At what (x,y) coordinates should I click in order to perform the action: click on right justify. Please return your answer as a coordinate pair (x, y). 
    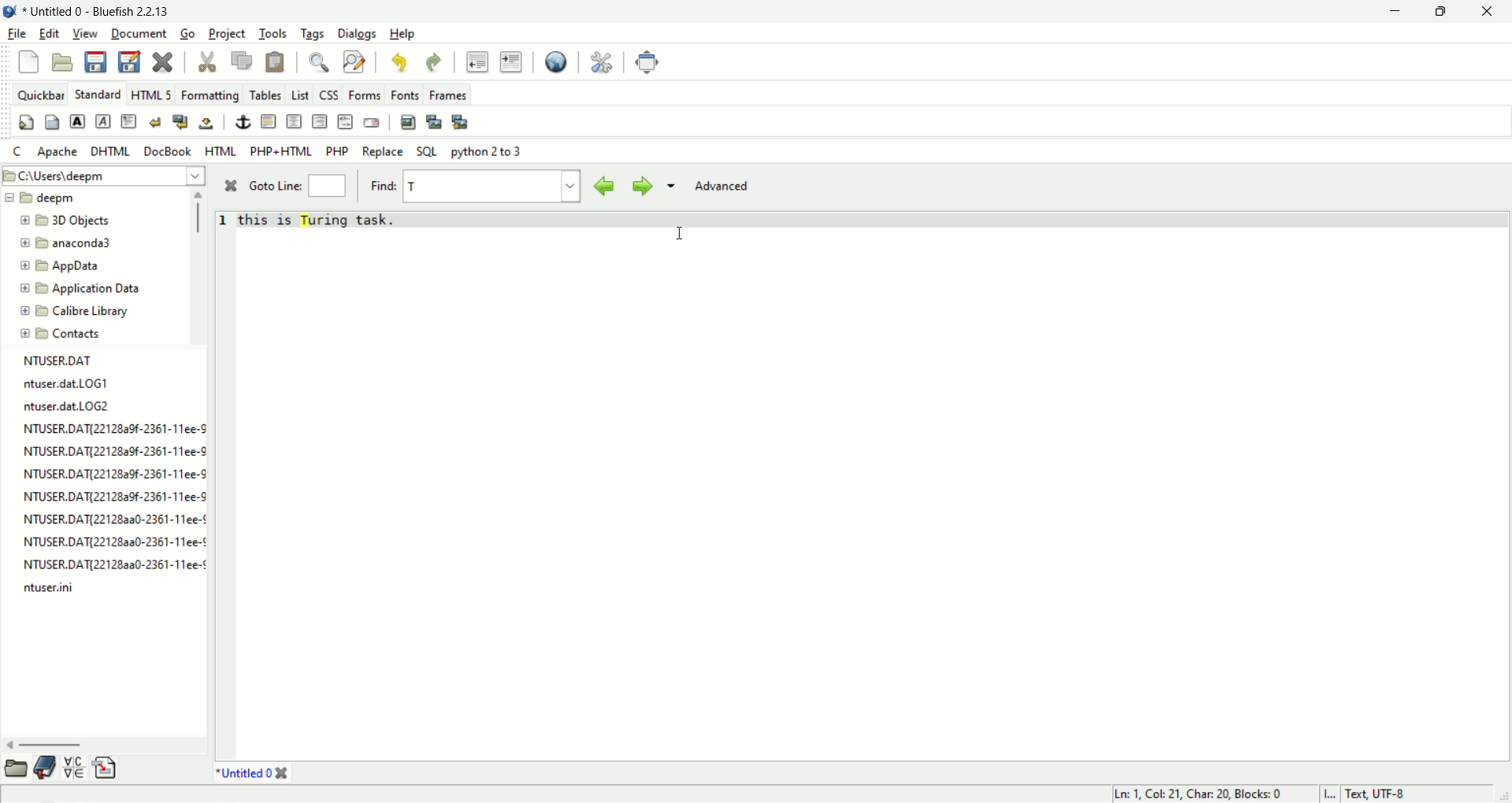
    Looking at the image, I should click on (321, 121).